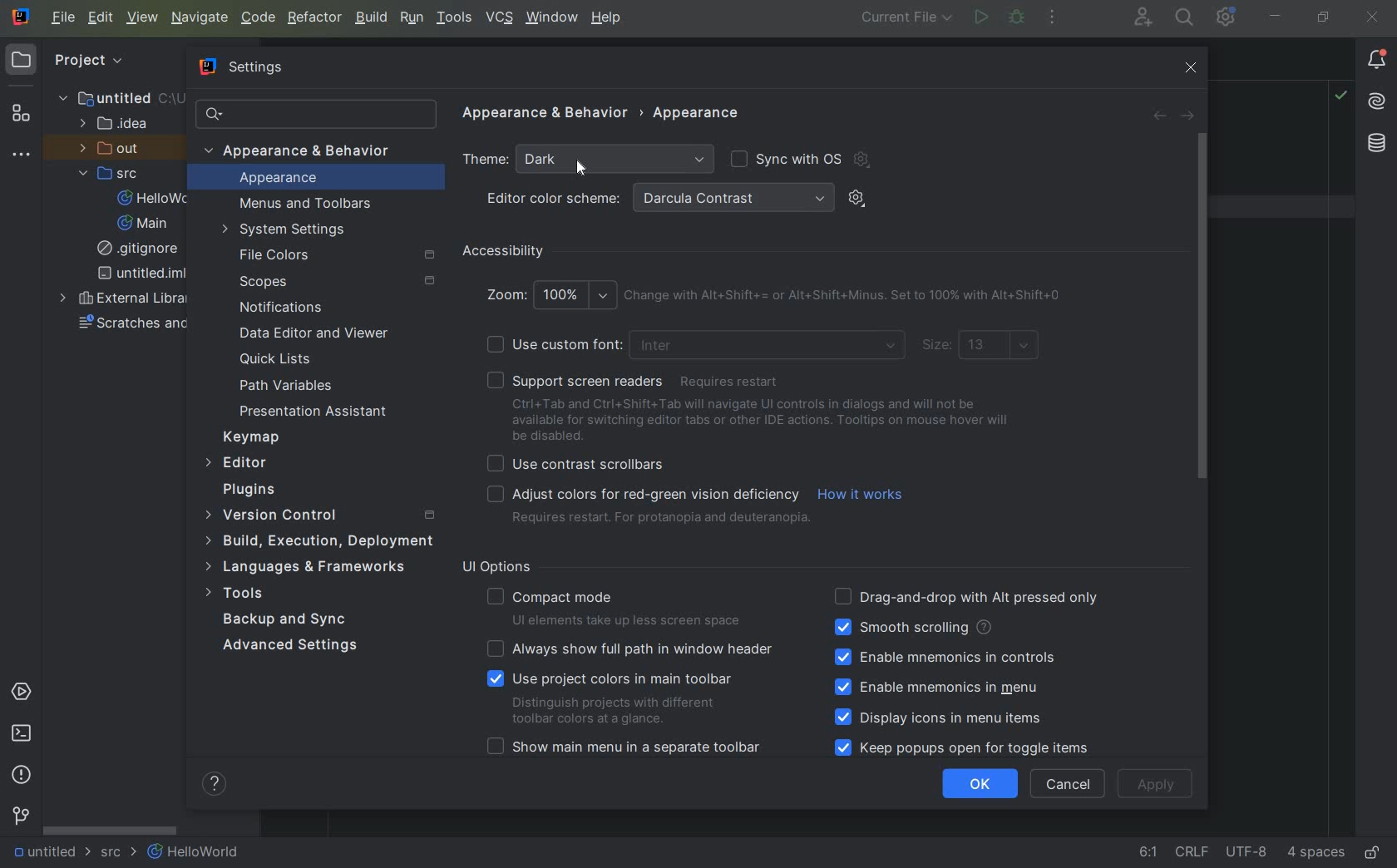 The height and width of the screenshot is (868, 1397). What do you see at coordinates (1249, 855) in the screenshot?
I see `(UTF-8)file encoding)` at bounding box center [1249, 855].